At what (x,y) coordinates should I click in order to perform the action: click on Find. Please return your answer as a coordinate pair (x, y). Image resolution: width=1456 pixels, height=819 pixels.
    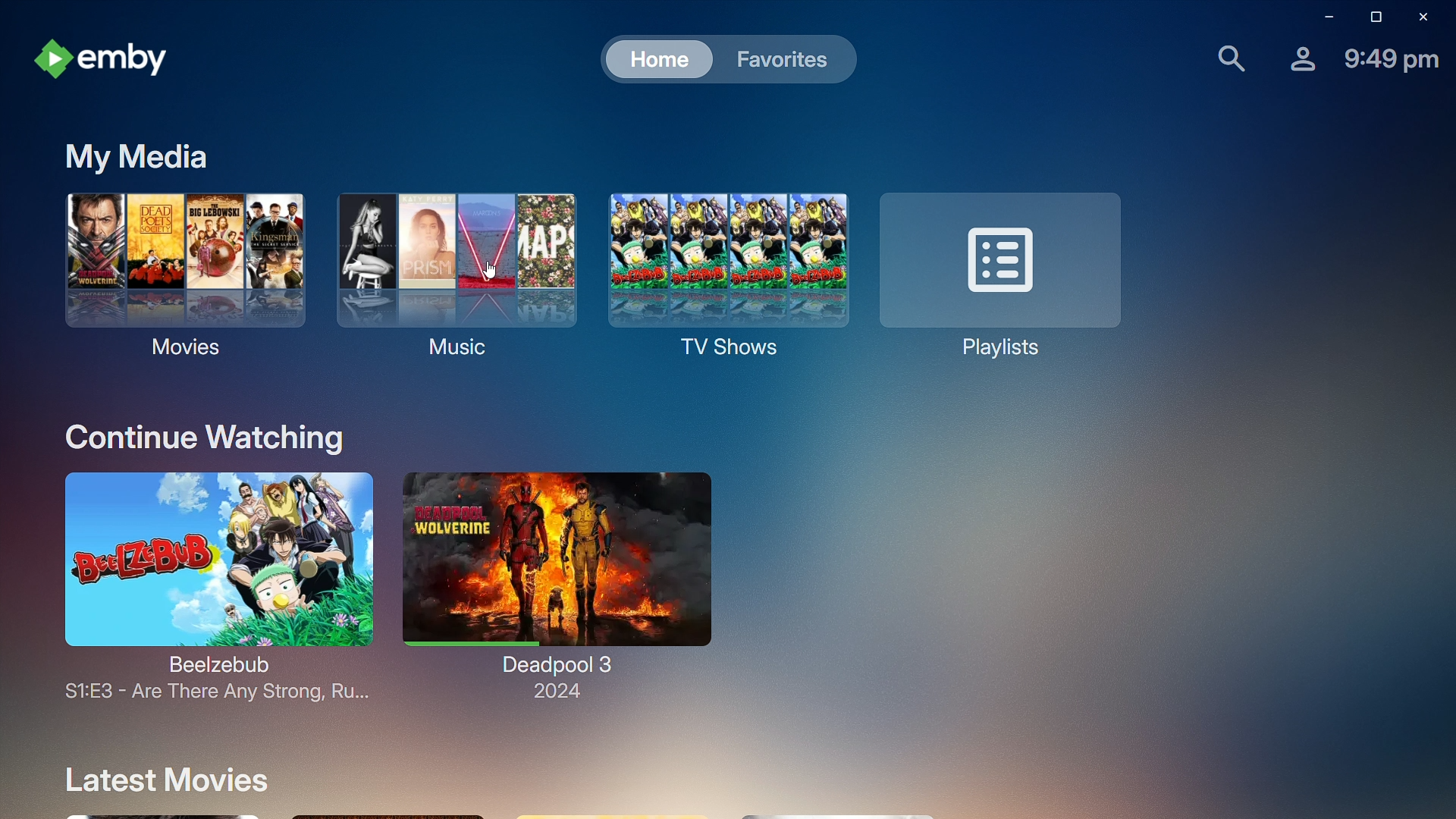
    Looking at the image, I should click on (1222, 56).